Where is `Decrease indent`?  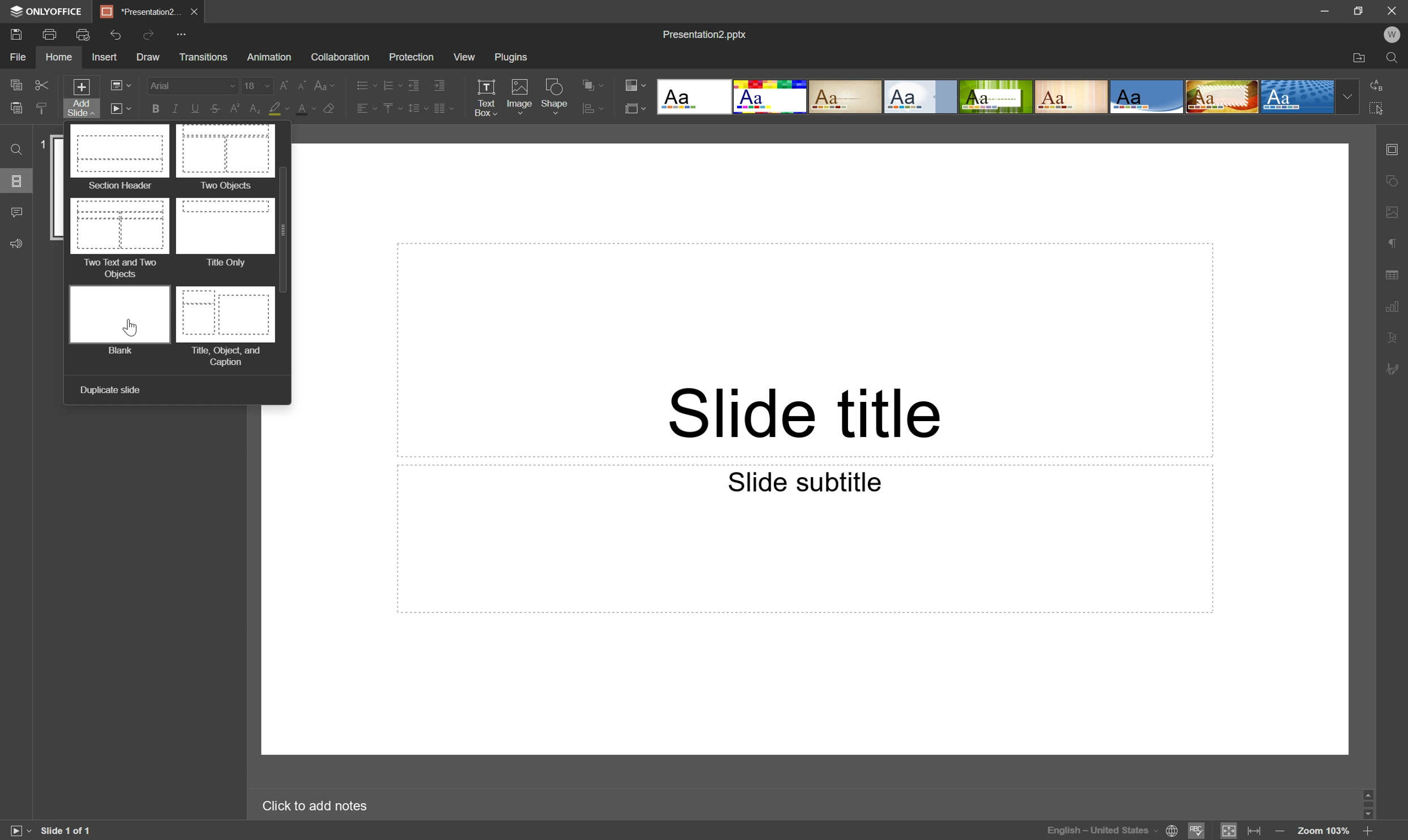
Decrease indent is located at coordinates (414, 82).